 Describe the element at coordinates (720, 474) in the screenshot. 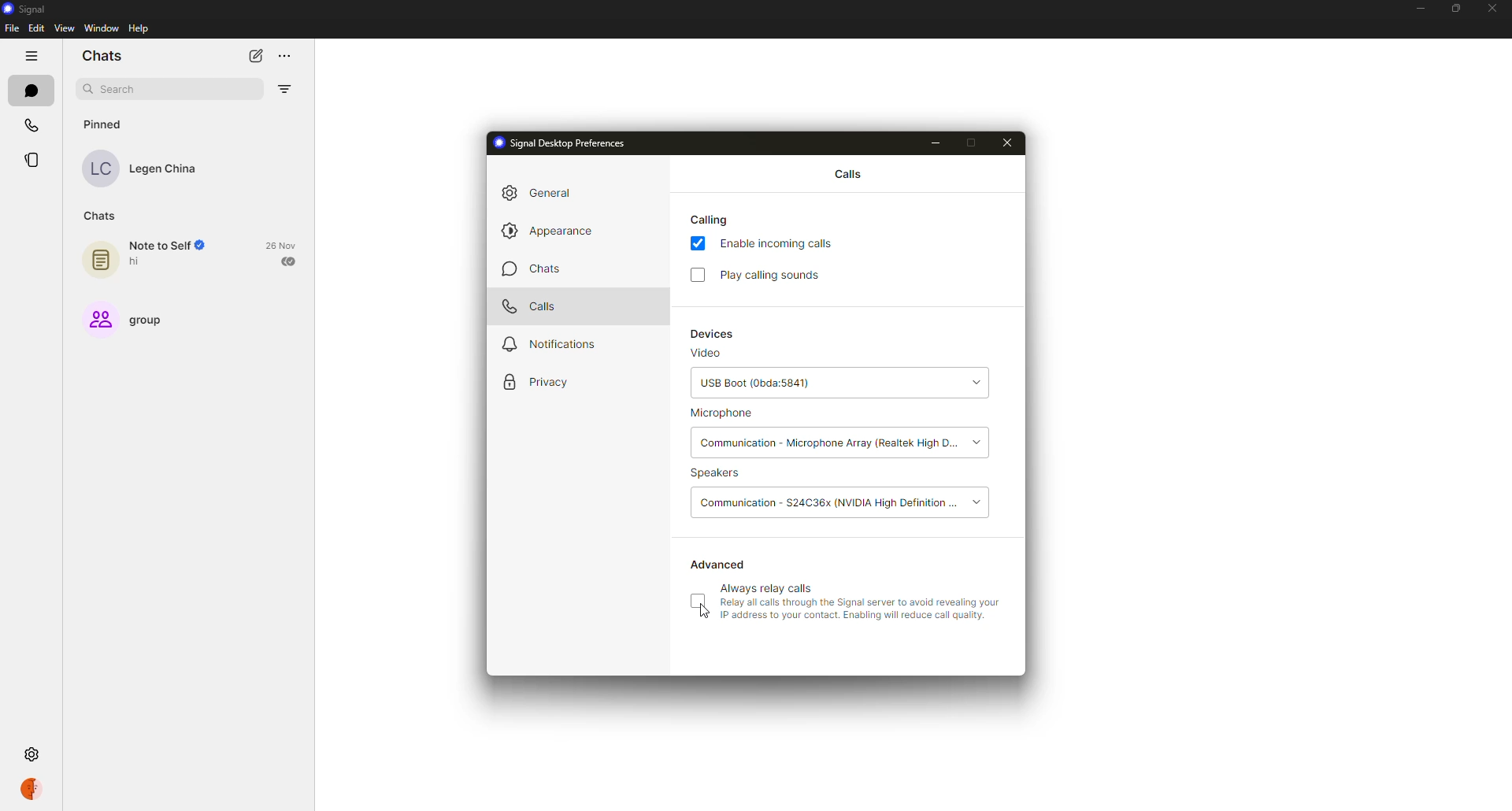

I see `speakers` at that location.